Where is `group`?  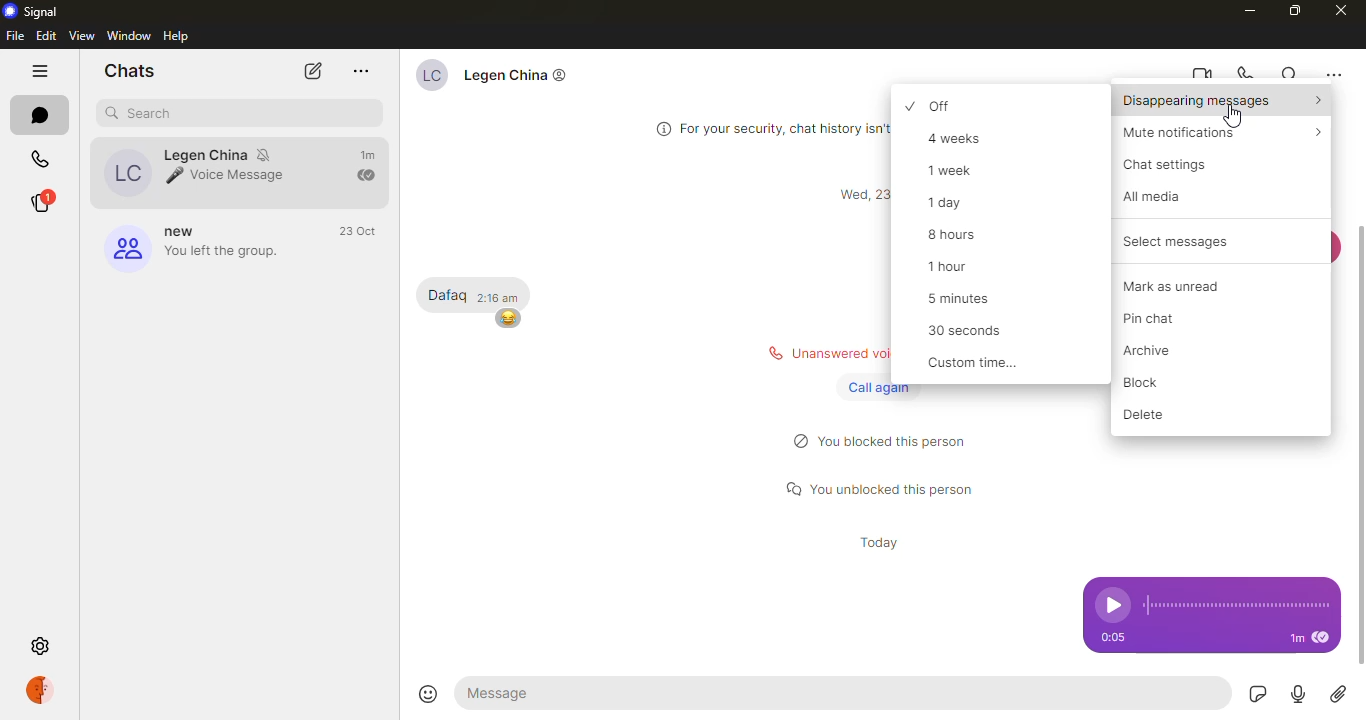 group is located at coordinates (197, 245).